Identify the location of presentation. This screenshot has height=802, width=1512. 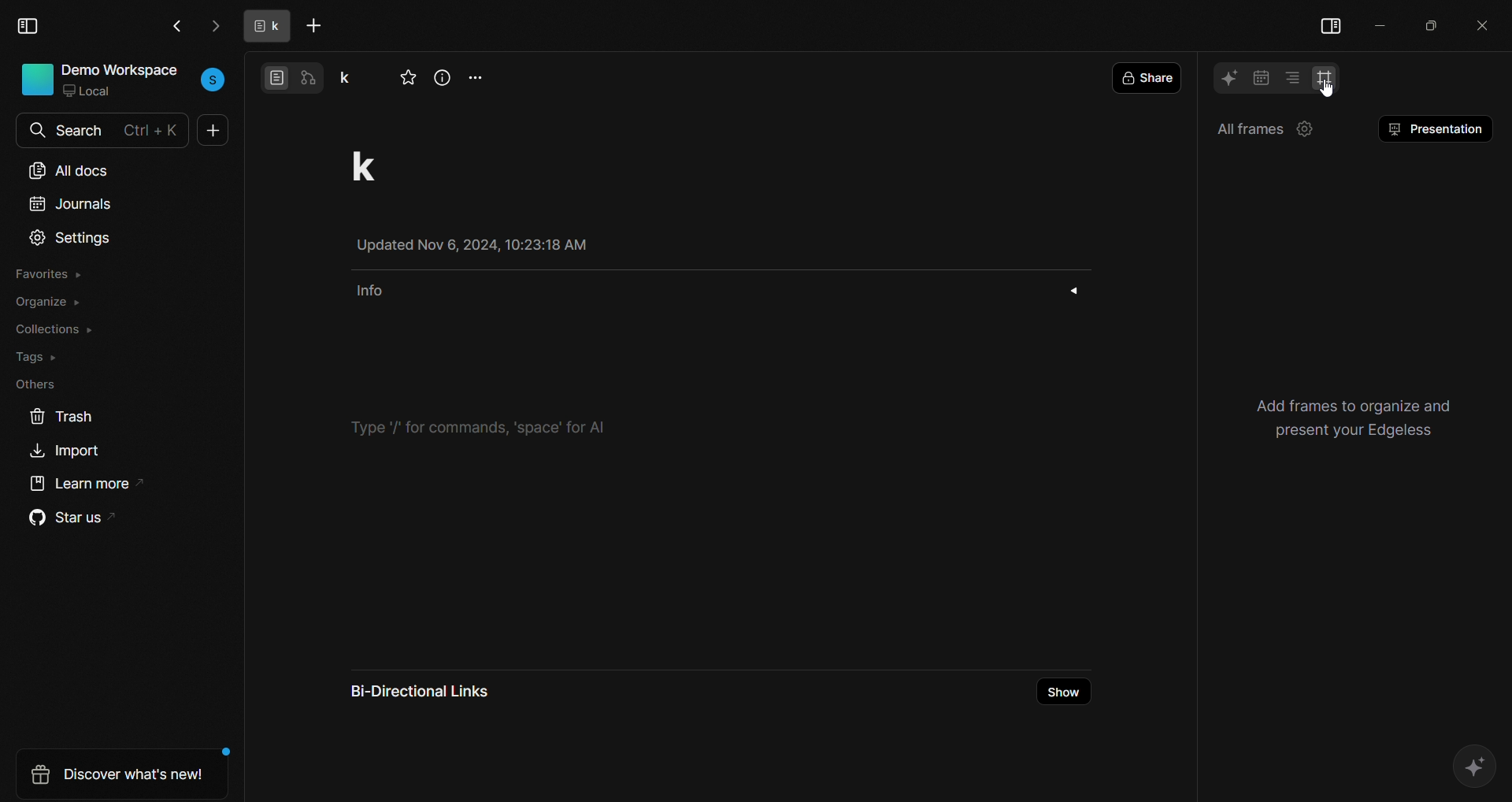
(1438, 128).